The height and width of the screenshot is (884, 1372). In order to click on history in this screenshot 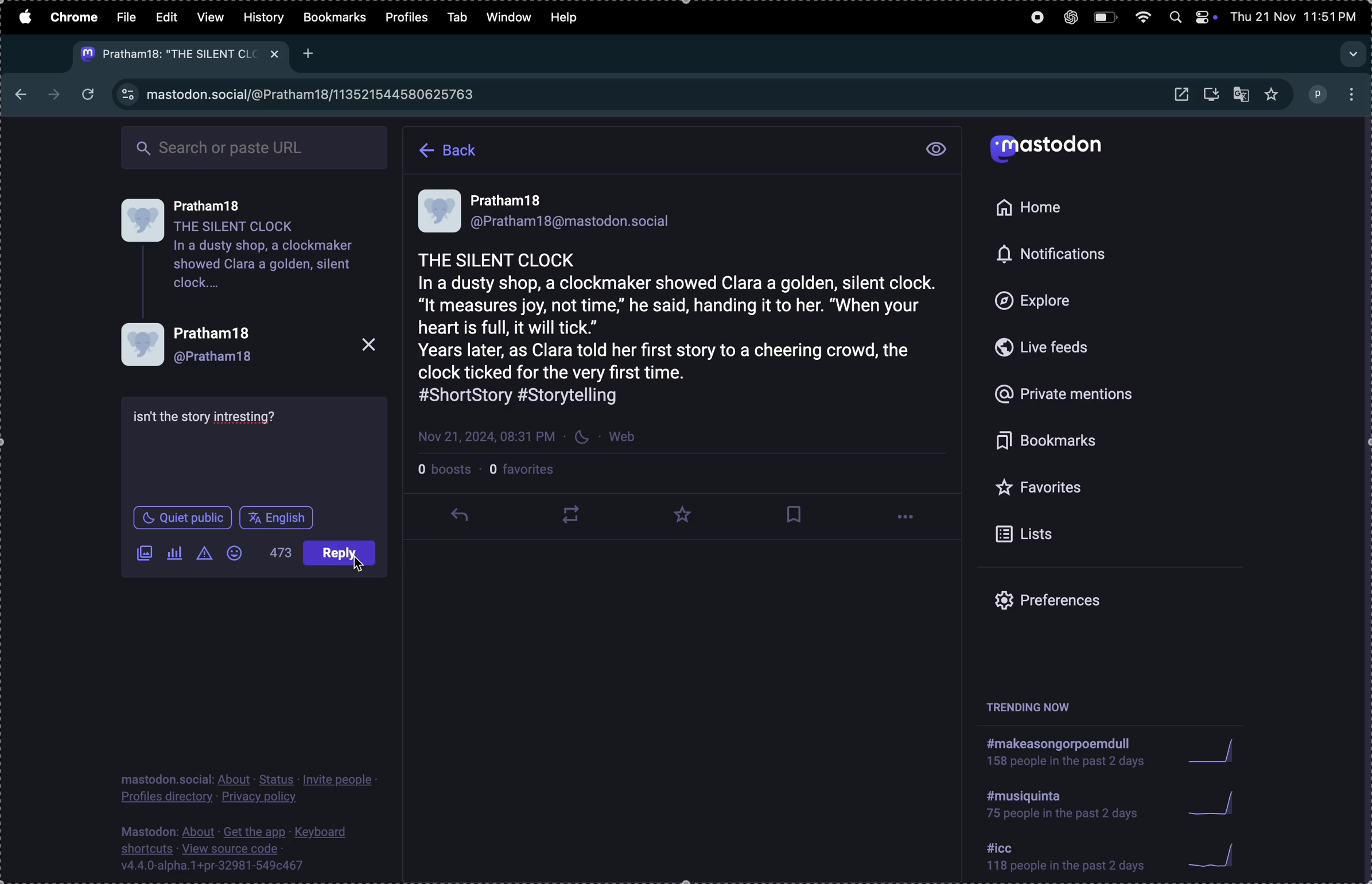, I will do `click(263, 17)`.